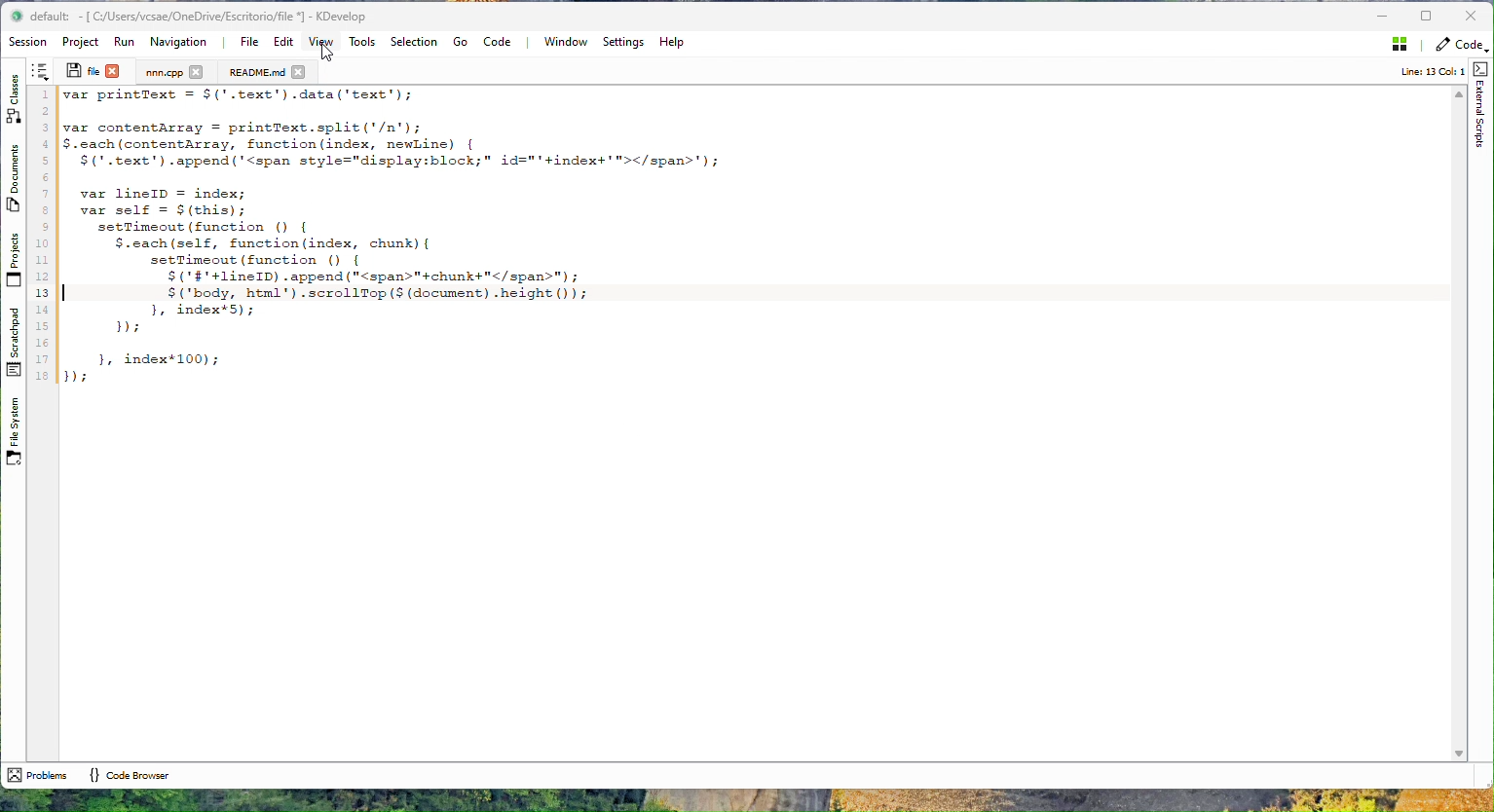 Image resolution: width=1494 pixels, height=812 pixels. I want to click on problems, so click(37, 775).